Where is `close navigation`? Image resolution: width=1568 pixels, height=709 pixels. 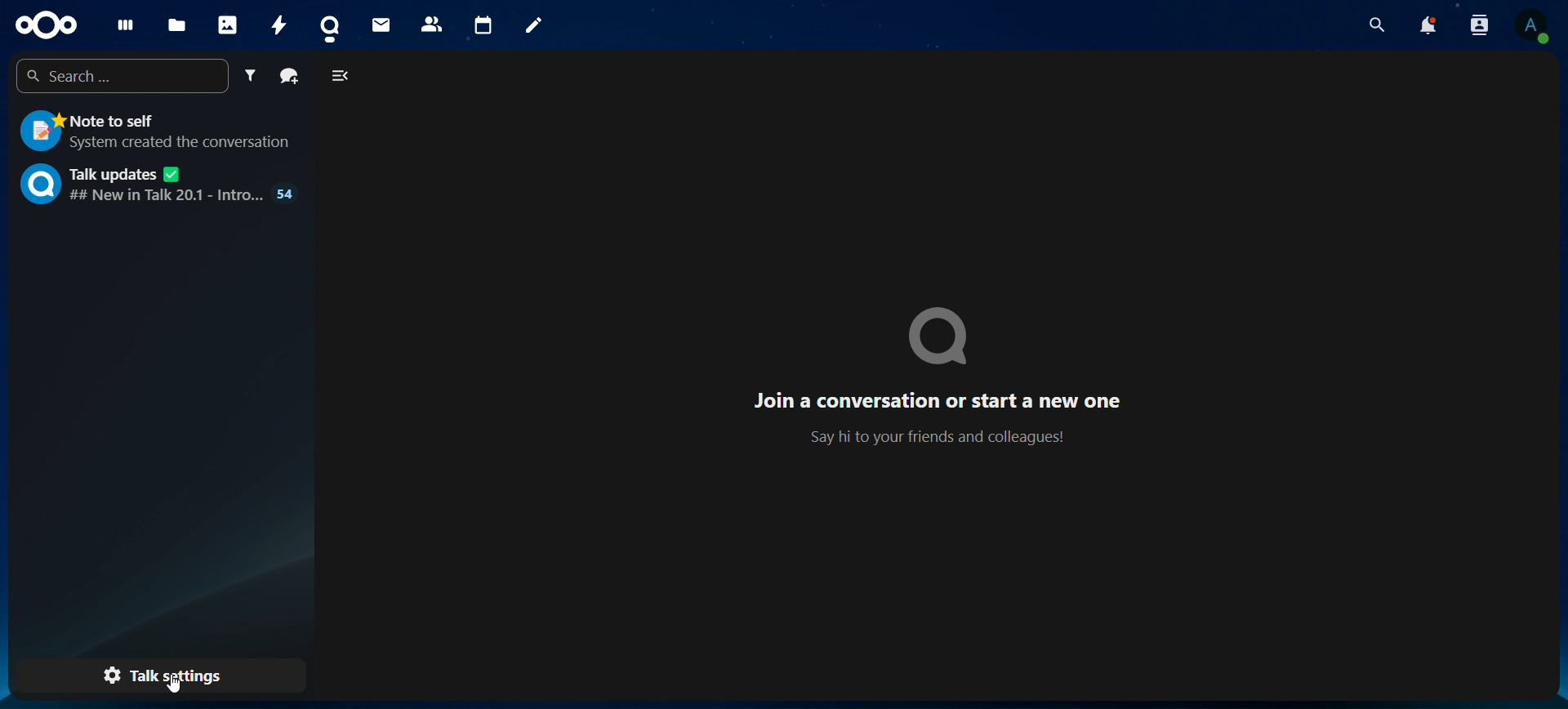
close navigation is located at coordinates (339, 78).